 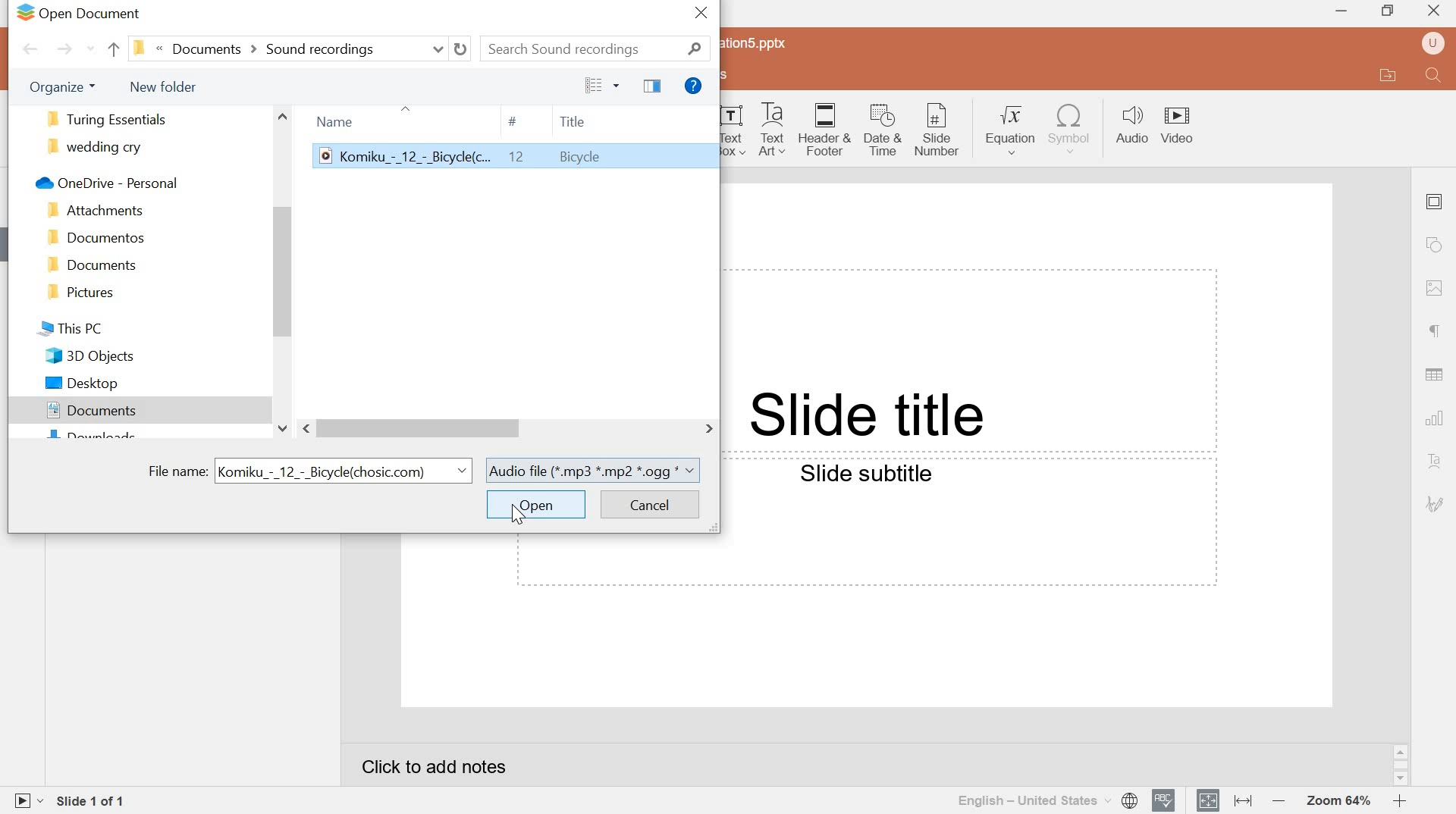 What do you see at coordinates (1401, 752) in the screenshot?
I see `scroll up` at bounding box center [1401, 752].